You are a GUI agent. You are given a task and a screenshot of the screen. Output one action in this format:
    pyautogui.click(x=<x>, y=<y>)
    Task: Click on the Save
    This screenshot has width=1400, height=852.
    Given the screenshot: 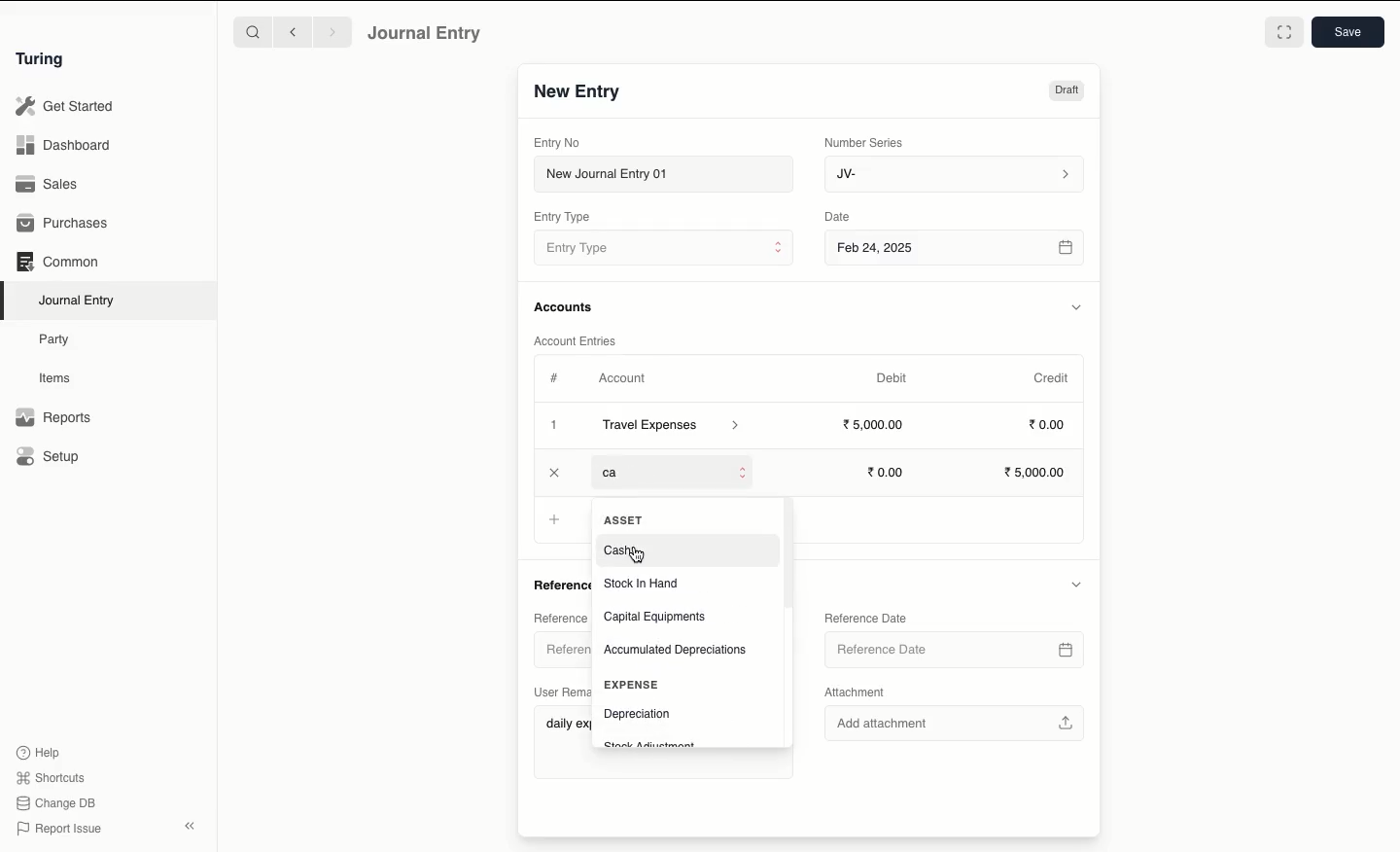 What is the action you would take?
    pyautogui.click(x=1348, y=32)
    